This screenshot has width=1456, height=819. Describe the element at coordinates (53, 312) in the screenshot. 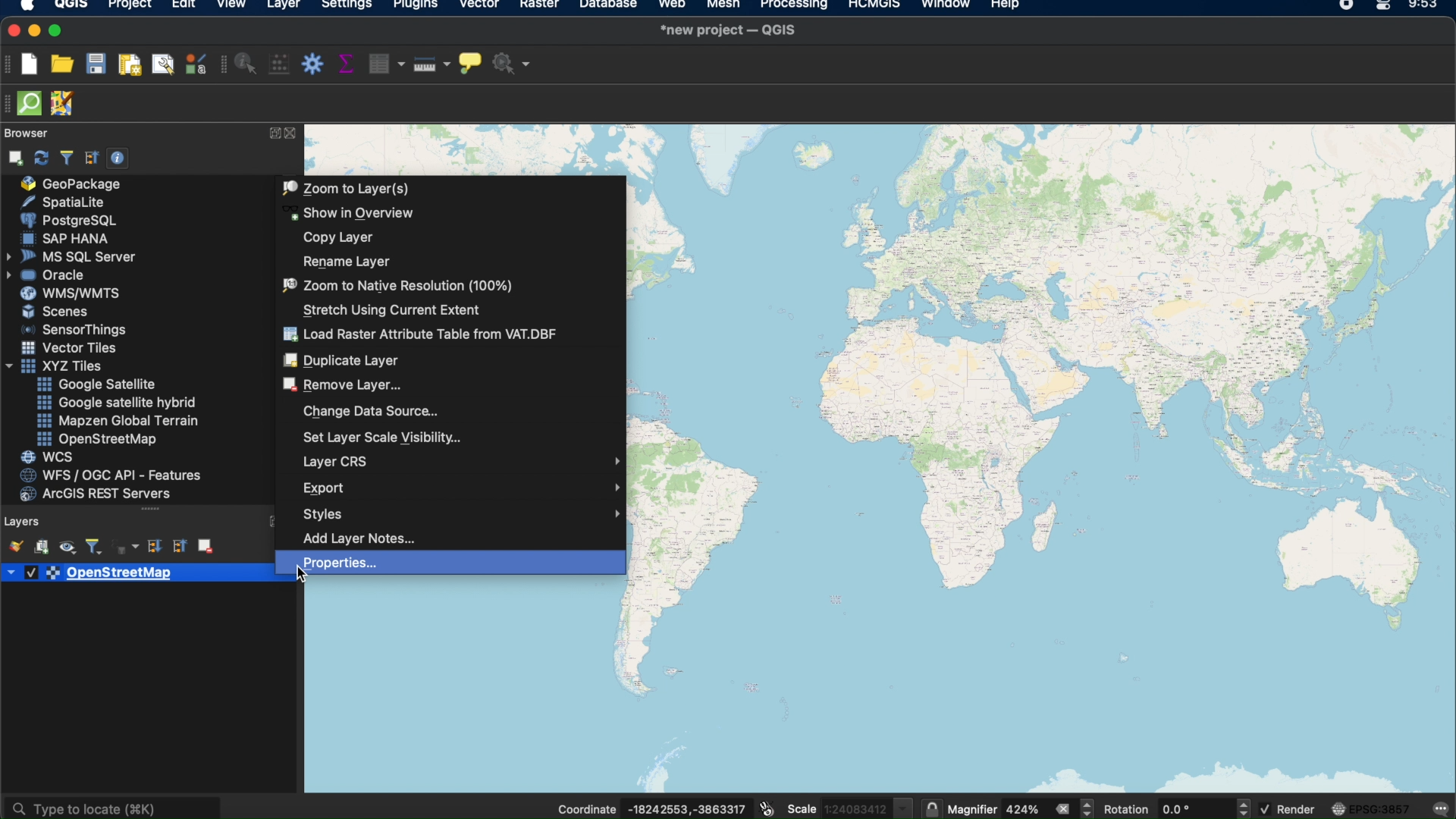

I see `scenes` at that location.